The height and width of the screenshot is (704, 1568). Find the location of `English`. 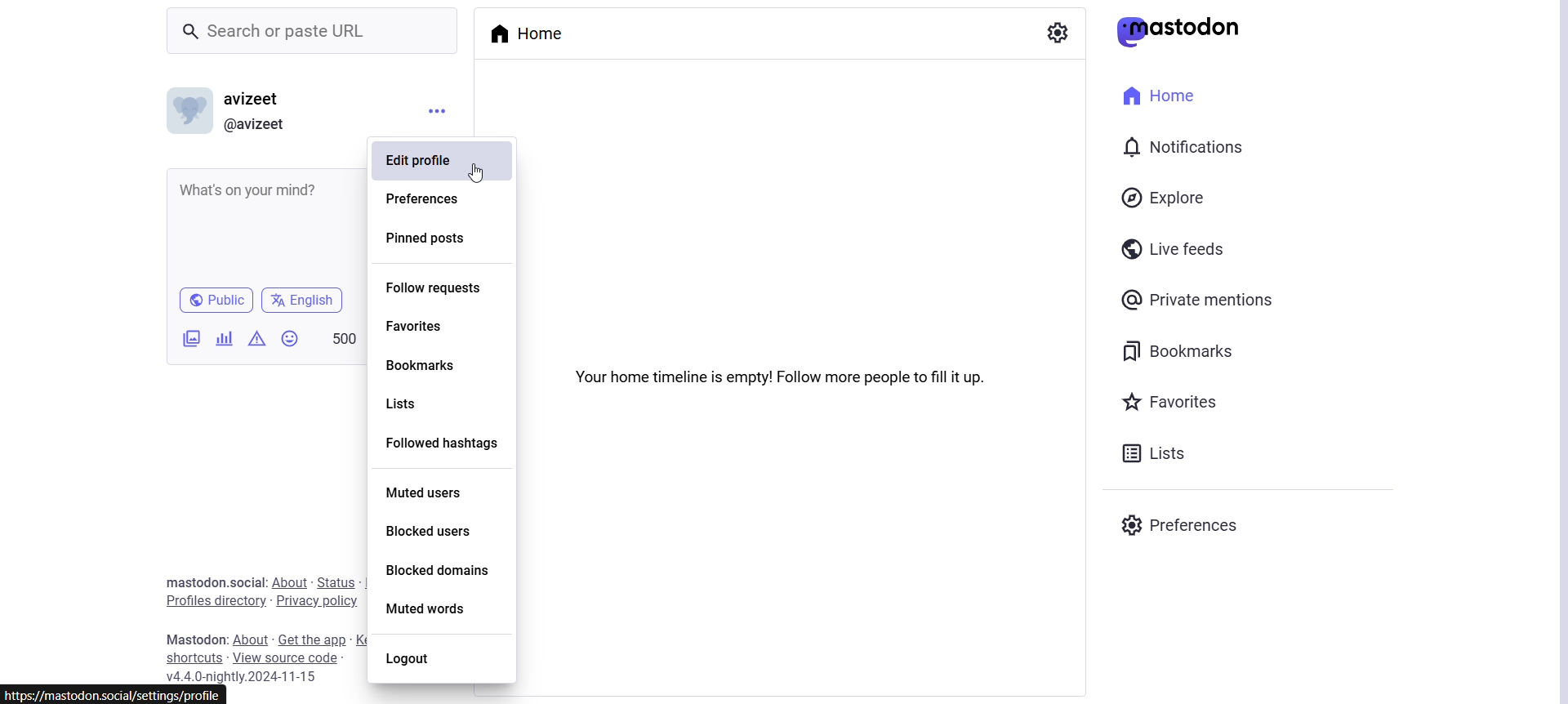

English is located at coordinates (305, 300).